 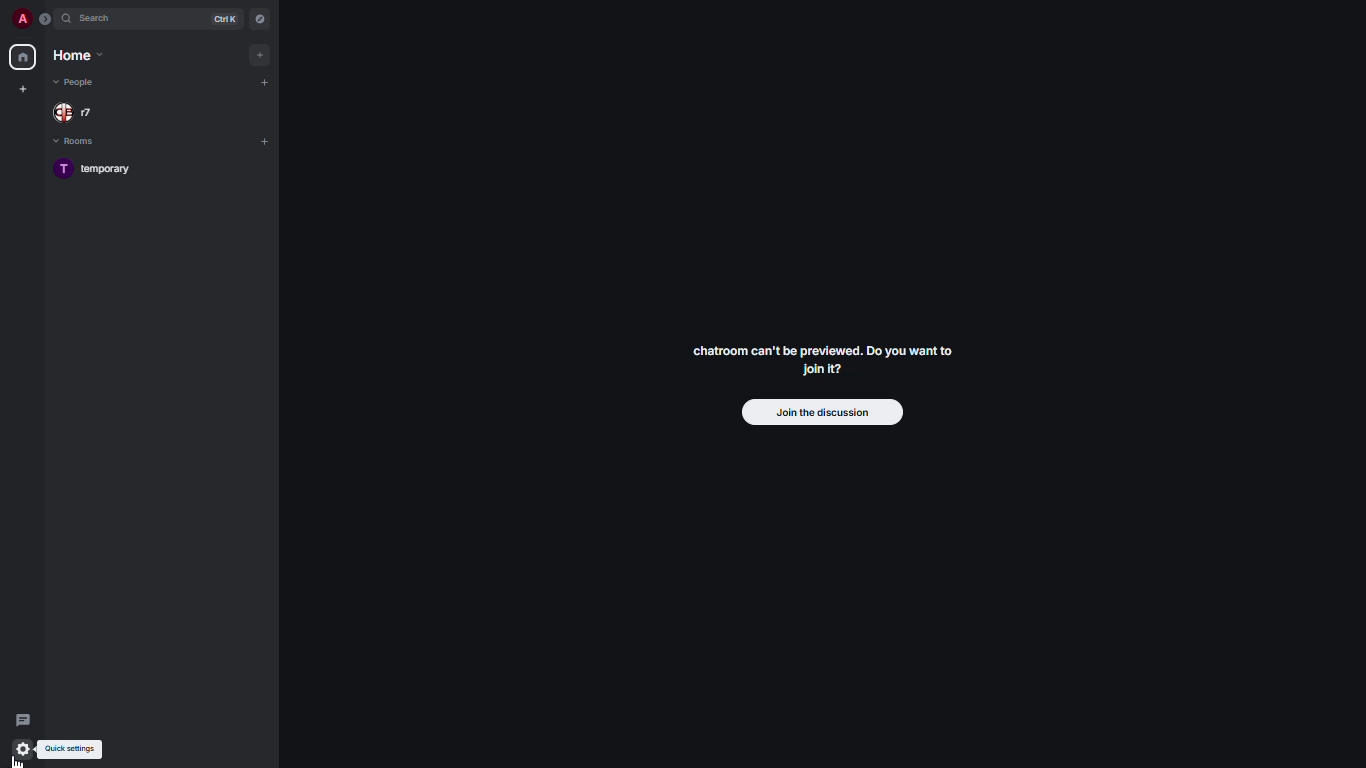 What do you see at coordinates (83, 83) in the screenshot?
I see `people` at bounding box center [83, 83].